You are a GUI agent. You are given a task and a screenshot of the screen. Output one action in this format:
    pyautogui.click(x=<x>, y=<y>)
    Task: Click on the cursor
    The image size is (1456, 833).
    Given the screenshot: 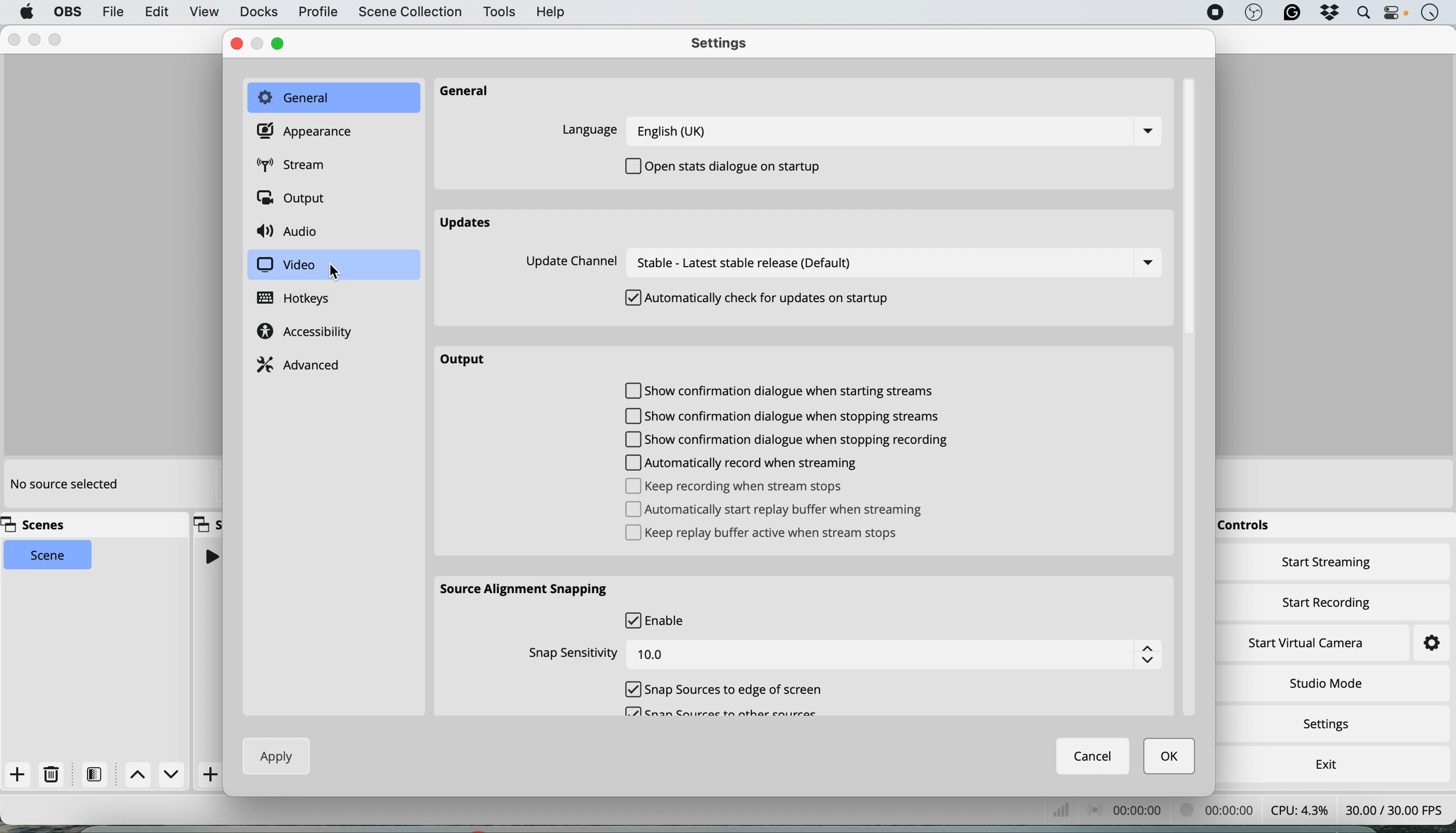 What is the action you would take?
    pyautogui.click(x=1250, y=727)
    